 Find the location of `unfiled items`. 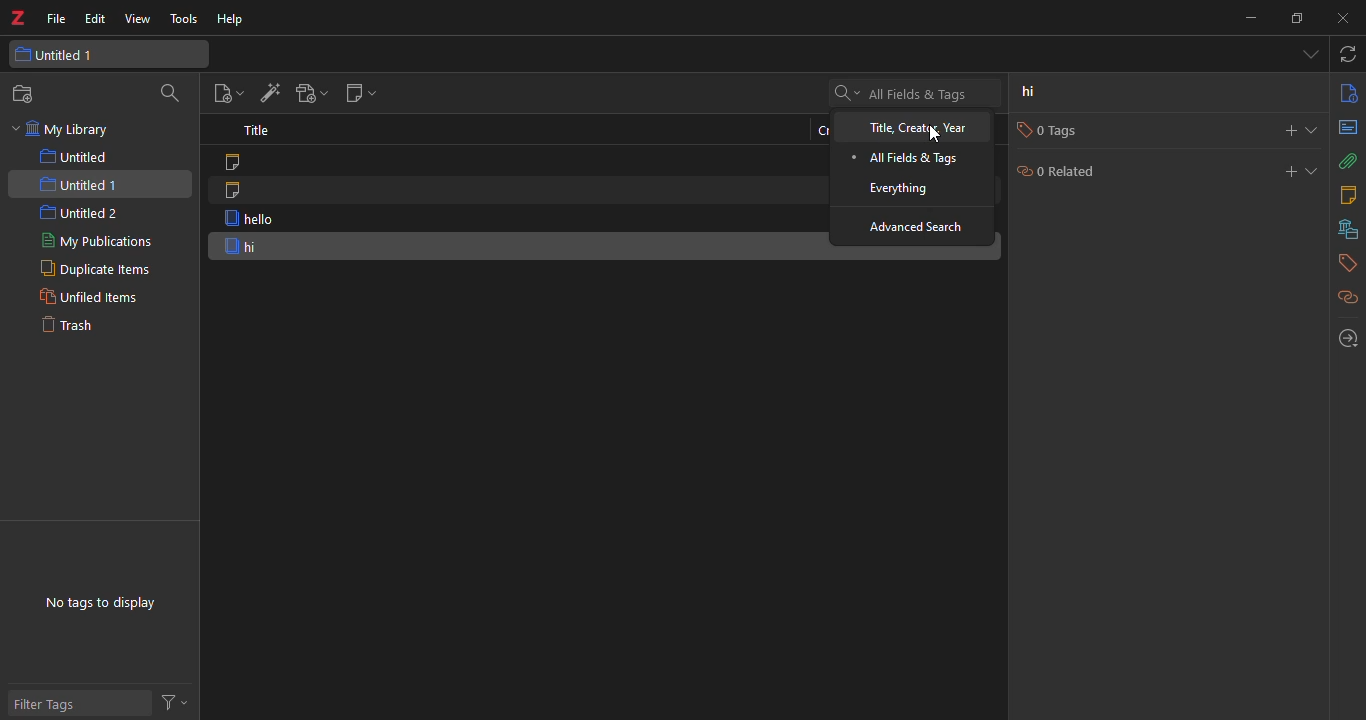

unfiled items is located at coordinates (90, 297).